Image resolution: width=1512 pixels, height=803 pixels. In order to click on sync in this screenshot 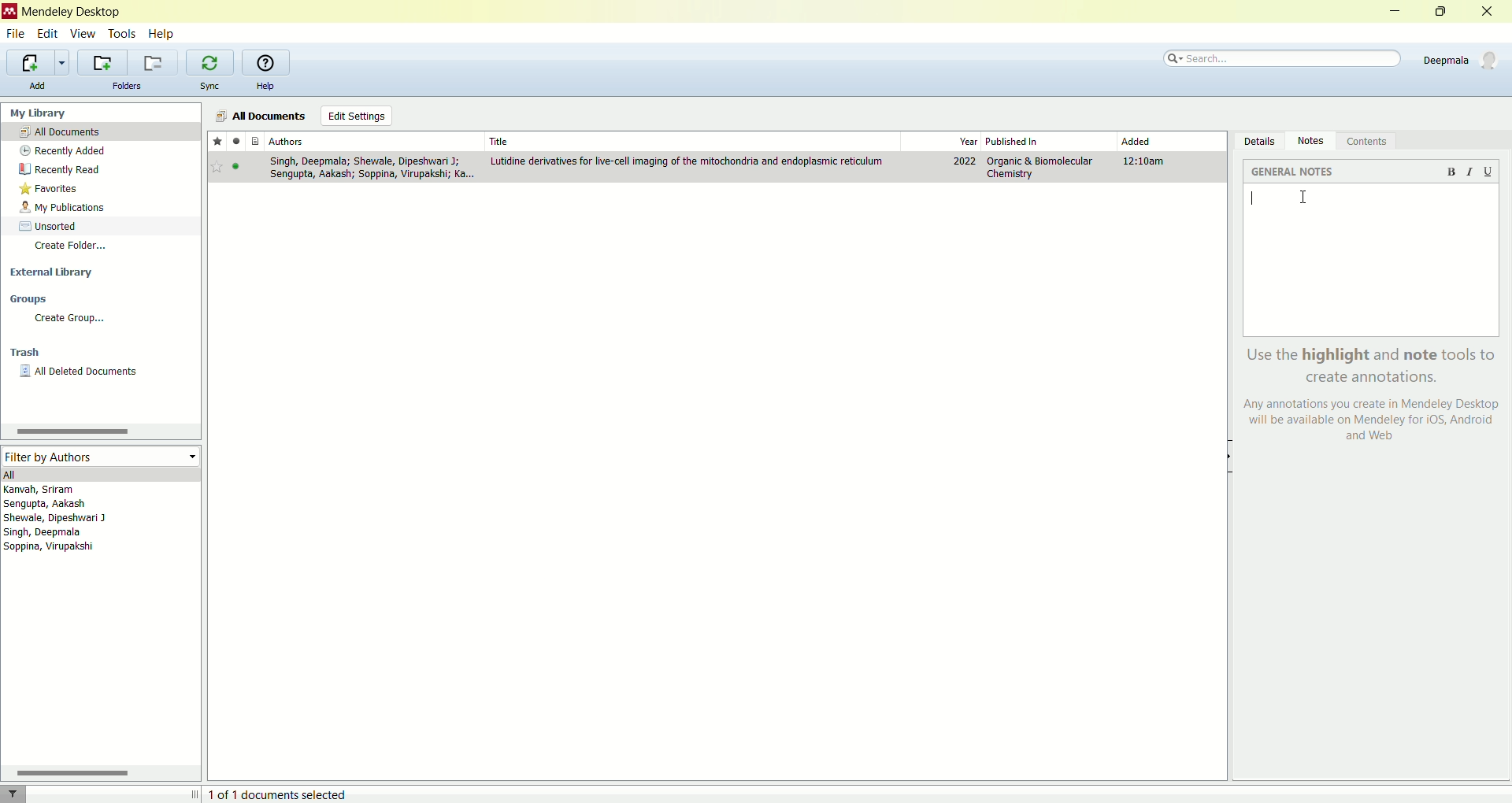, I will do `click(210, 85)`.